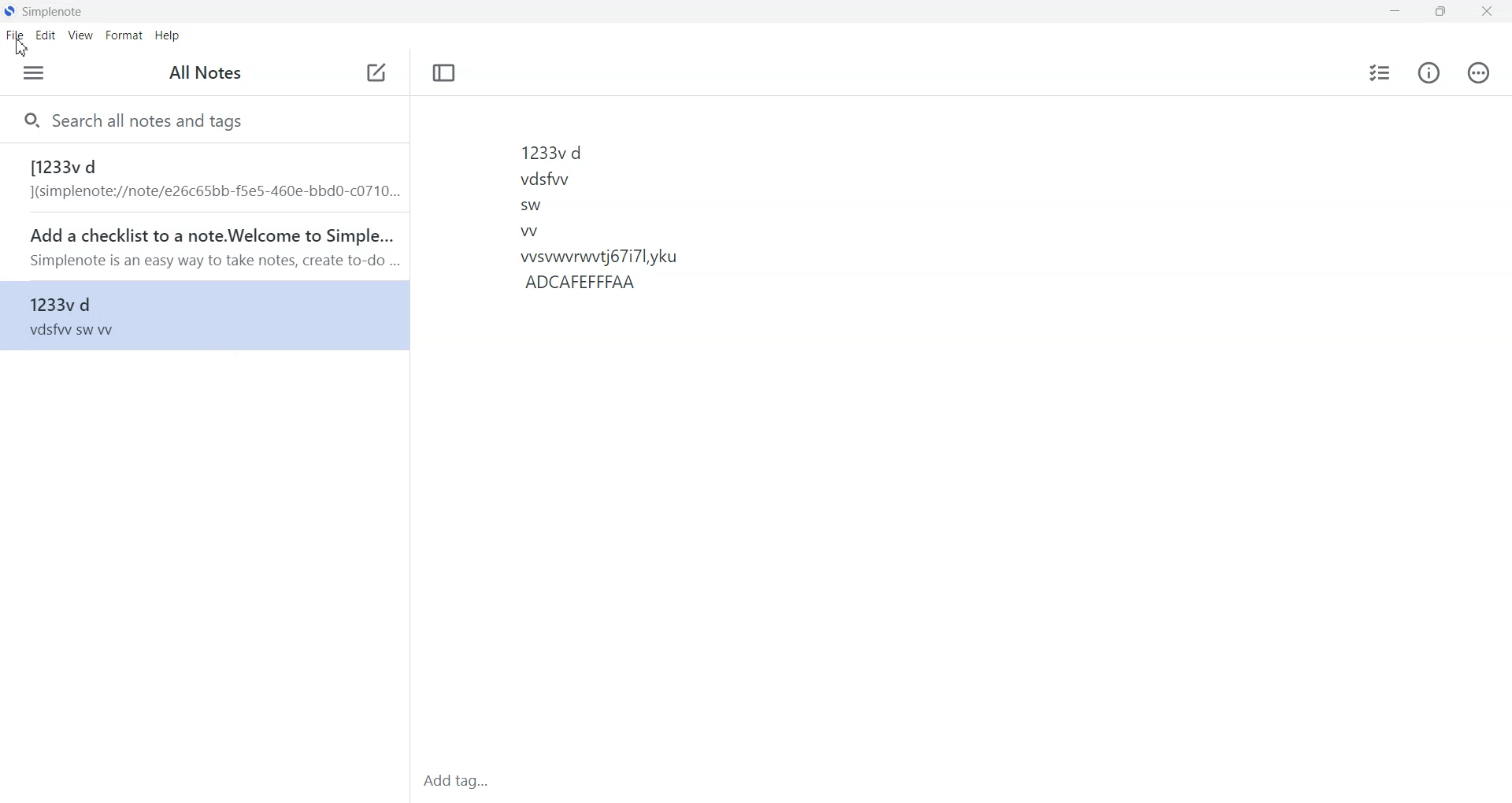  What do you see at coordinates (1486, 11) in the screenshot?
I see `Close` at bounding box center [1486, 11].